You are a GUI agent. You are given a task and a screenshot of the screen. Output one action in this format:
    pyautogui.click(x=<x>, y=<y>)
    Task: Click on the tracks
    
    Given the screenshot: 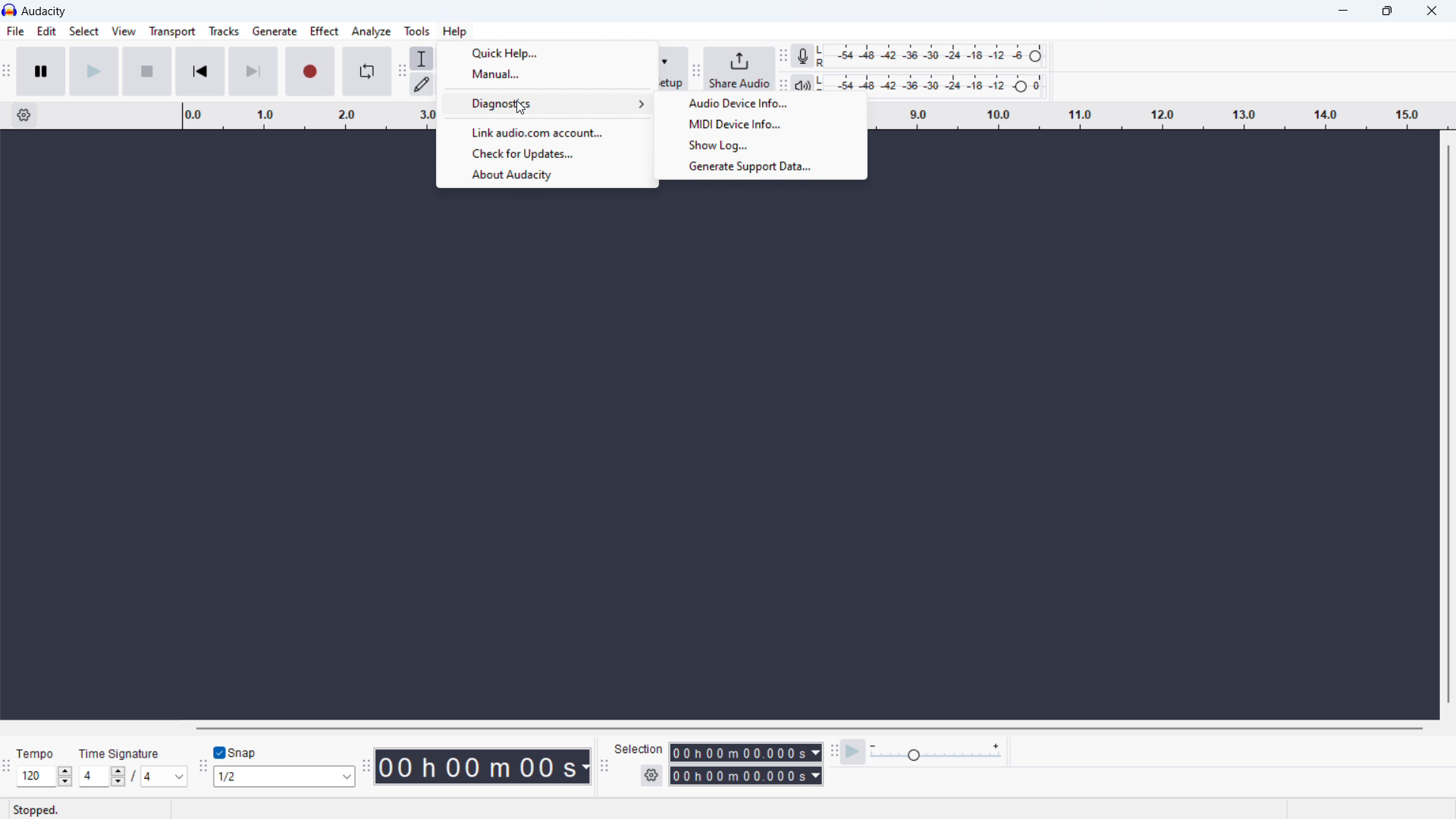 What is the action you would take?
    pyautogui.click(x=223, y=31)
    